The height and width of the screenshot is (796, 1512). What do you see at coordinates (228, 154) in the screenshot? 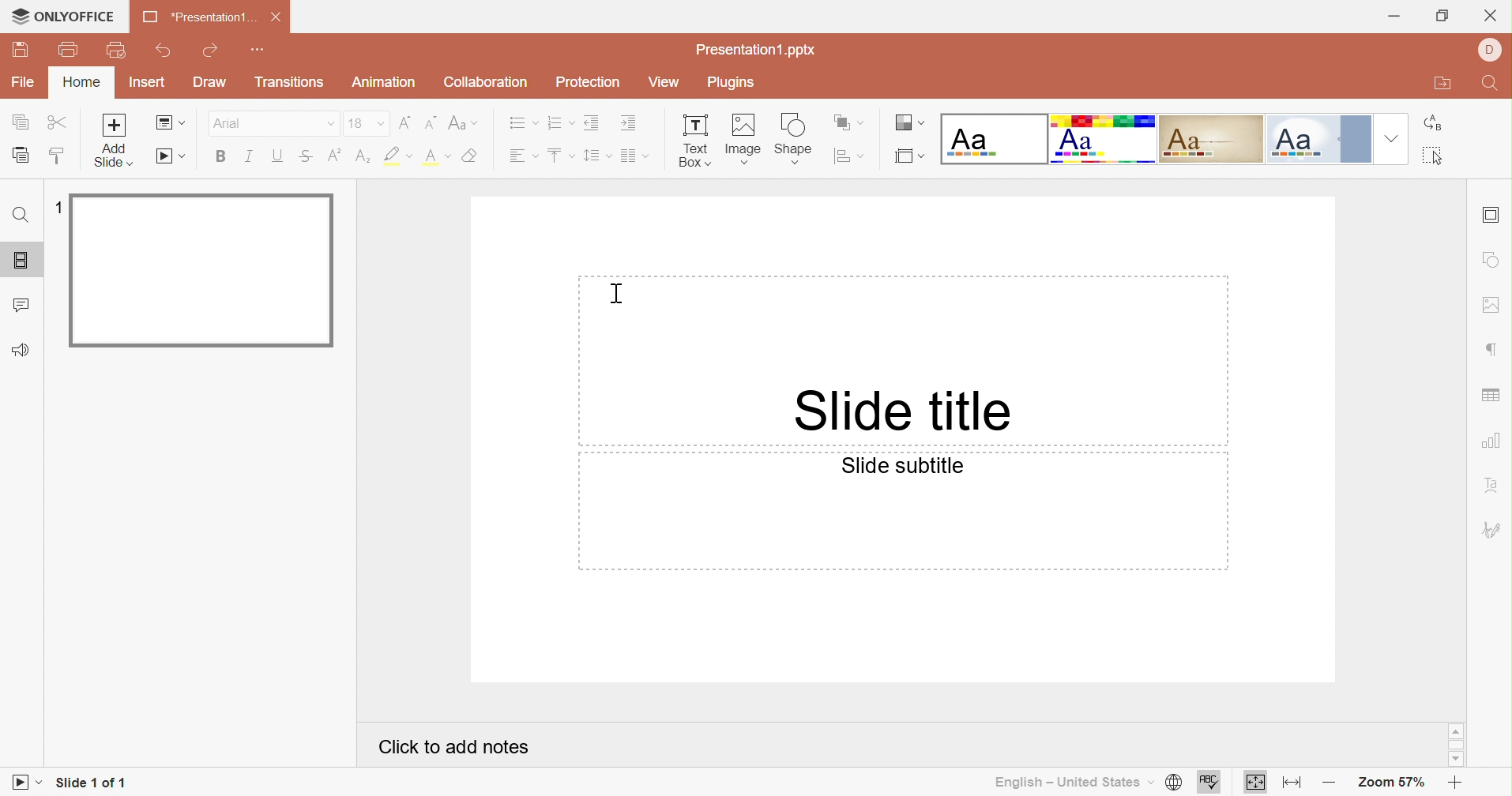
I see `Bold` at bounding box center [228, 154].